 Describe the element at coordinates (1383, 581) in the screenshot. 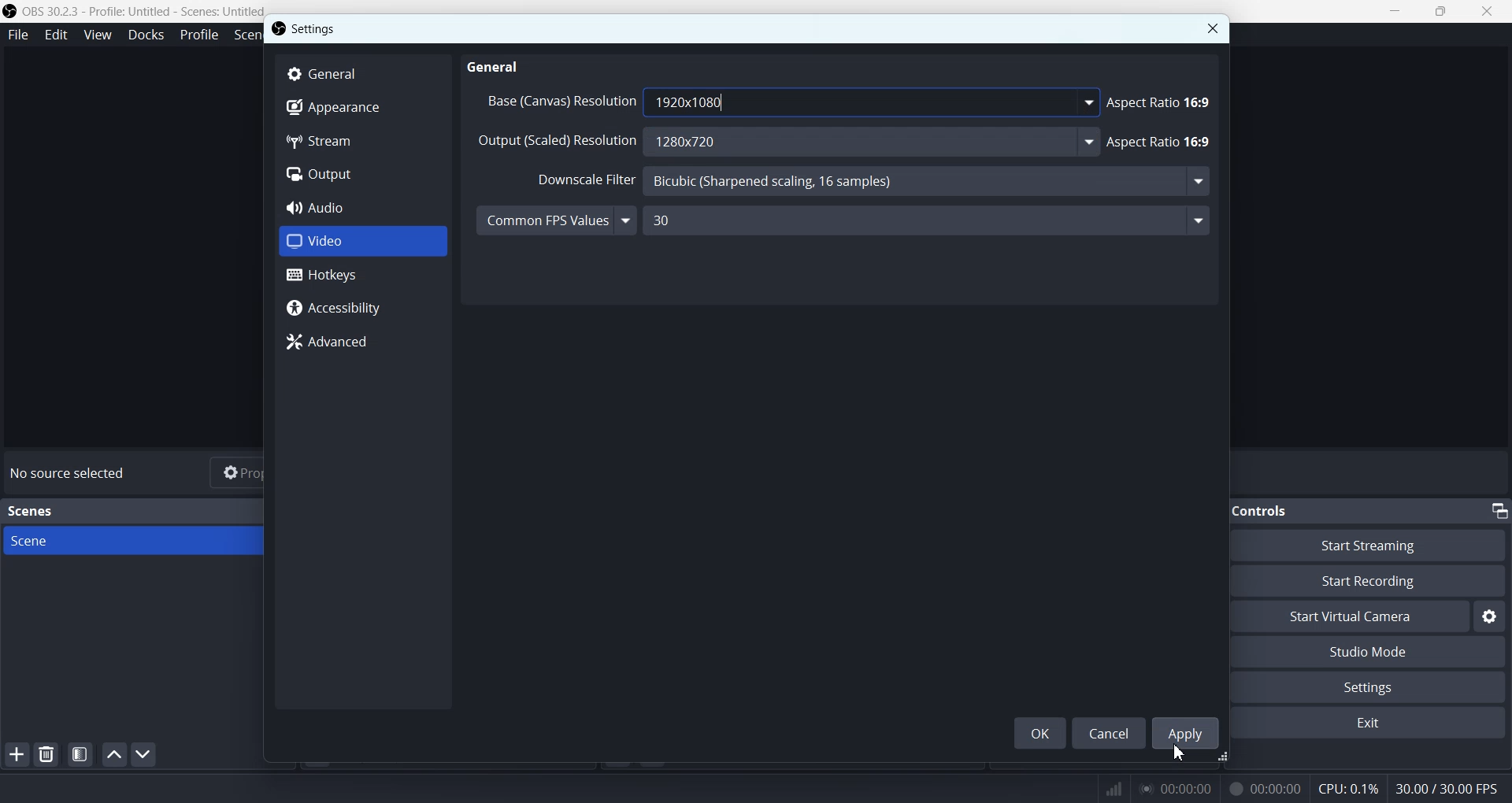

I see `Start Recording` at that location.